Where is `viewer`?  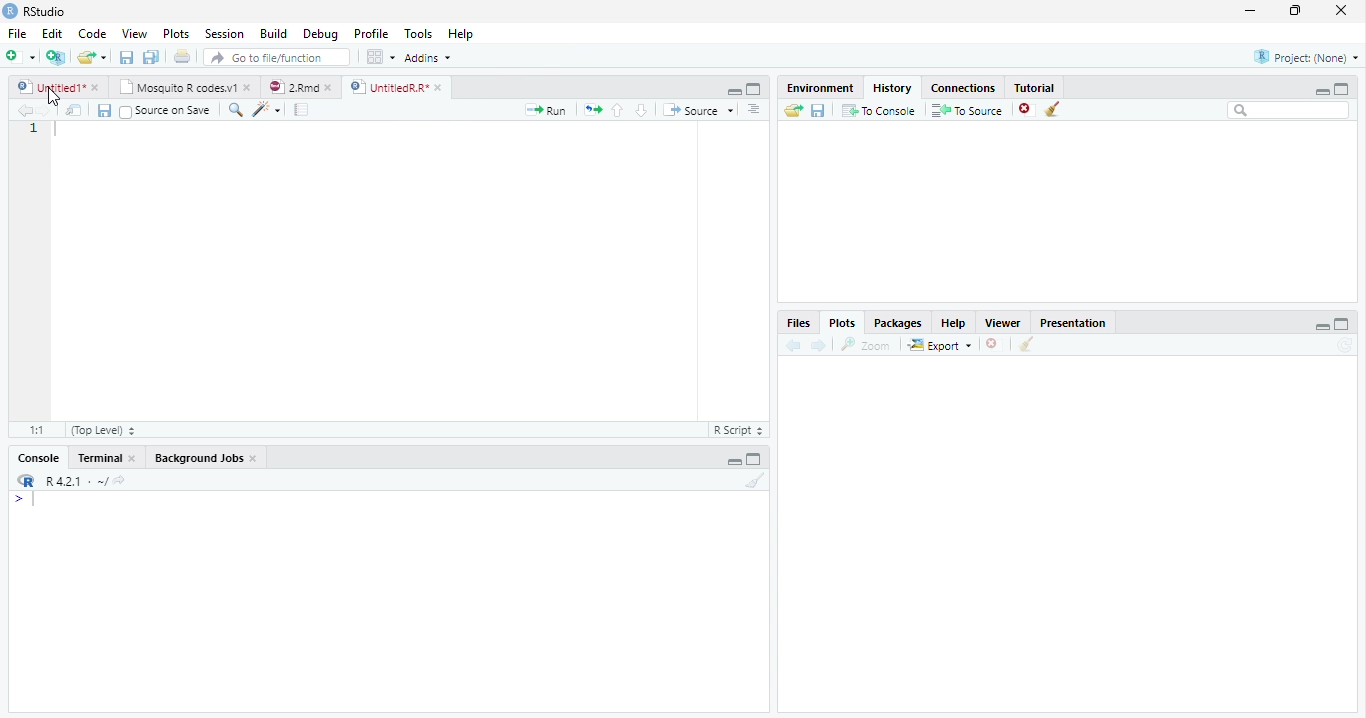
viewer is located at coordinates (1003, 324).